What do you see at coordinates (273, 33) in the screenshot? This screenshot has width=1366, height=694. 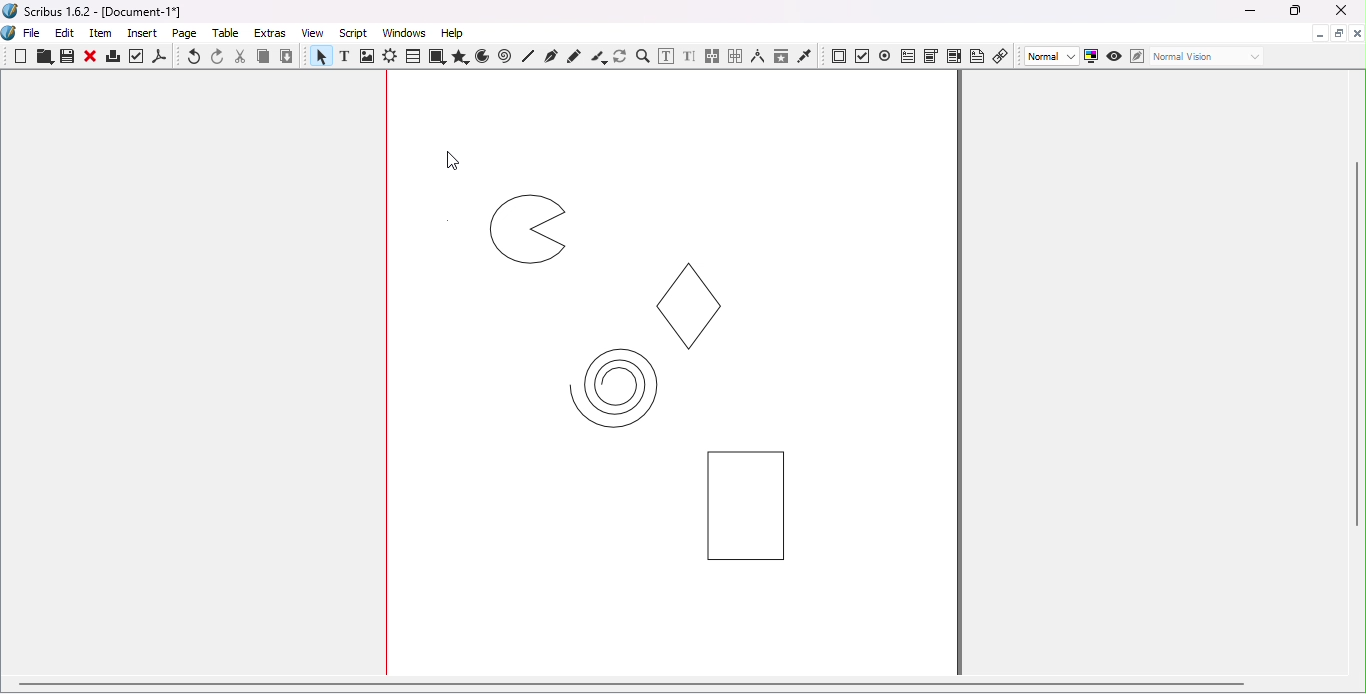 I see `Extras` at bounding box center [273, 33].